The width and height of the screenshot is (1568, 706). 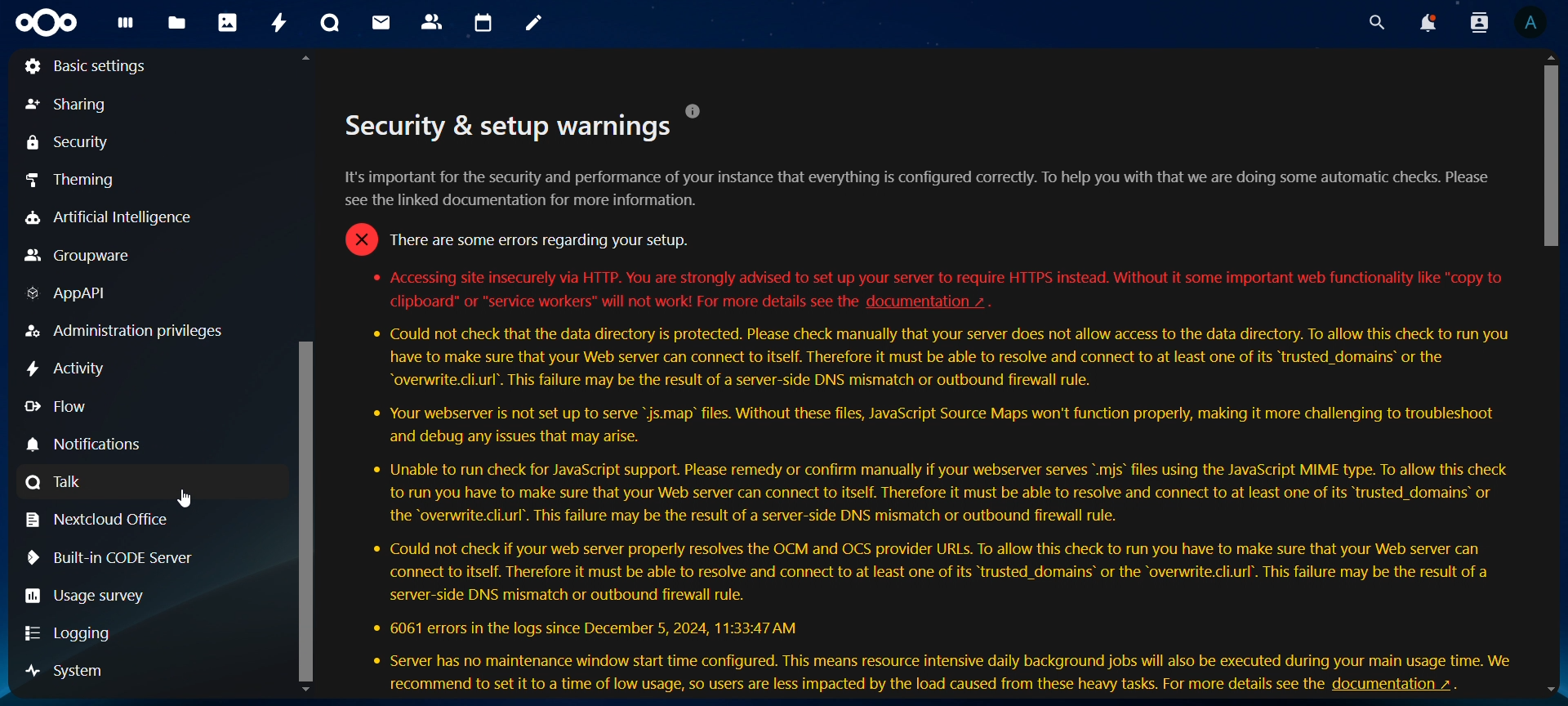 What do you see at coordinates (947, 358) in the screenshot?
I see `* Could not check that the data directory is protected. Please check manually that your server does not allow access to the data directory. To allow this check to run you
have to make sure that your Web server can connect to itself. Therefore it must be able to resolve and connect to at least one of its “trusted_domains® or the
“overwrite.cli.url’. This failure may be the result of a server-side DNS mismatch or outbound firewall rule.` at bounding box center [947, 358].